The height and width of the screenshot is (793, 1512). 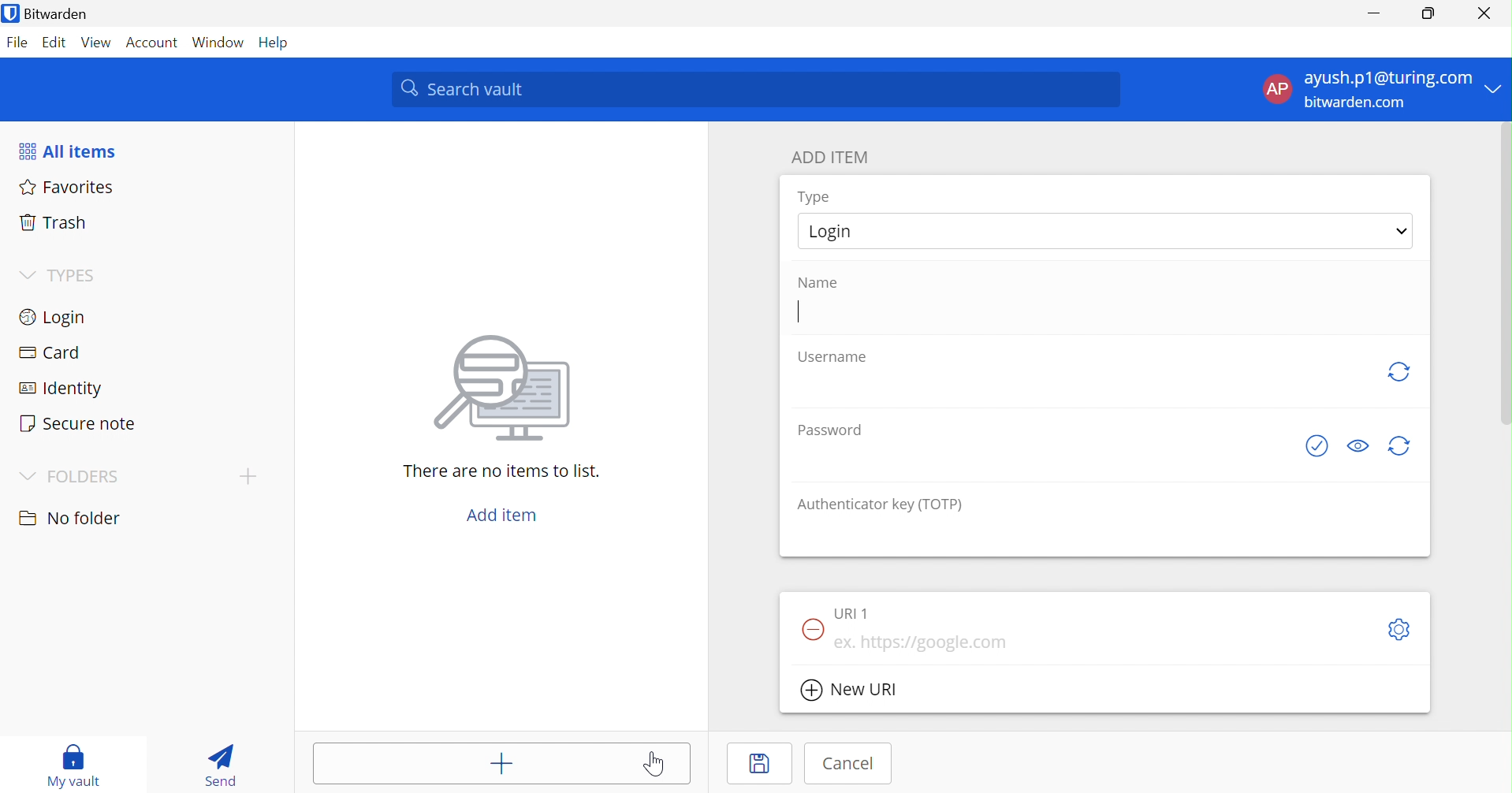 What do you see at coordinates (60, 275) in the screenshot?
I see `TYPES` at bounding box center [60, 275].